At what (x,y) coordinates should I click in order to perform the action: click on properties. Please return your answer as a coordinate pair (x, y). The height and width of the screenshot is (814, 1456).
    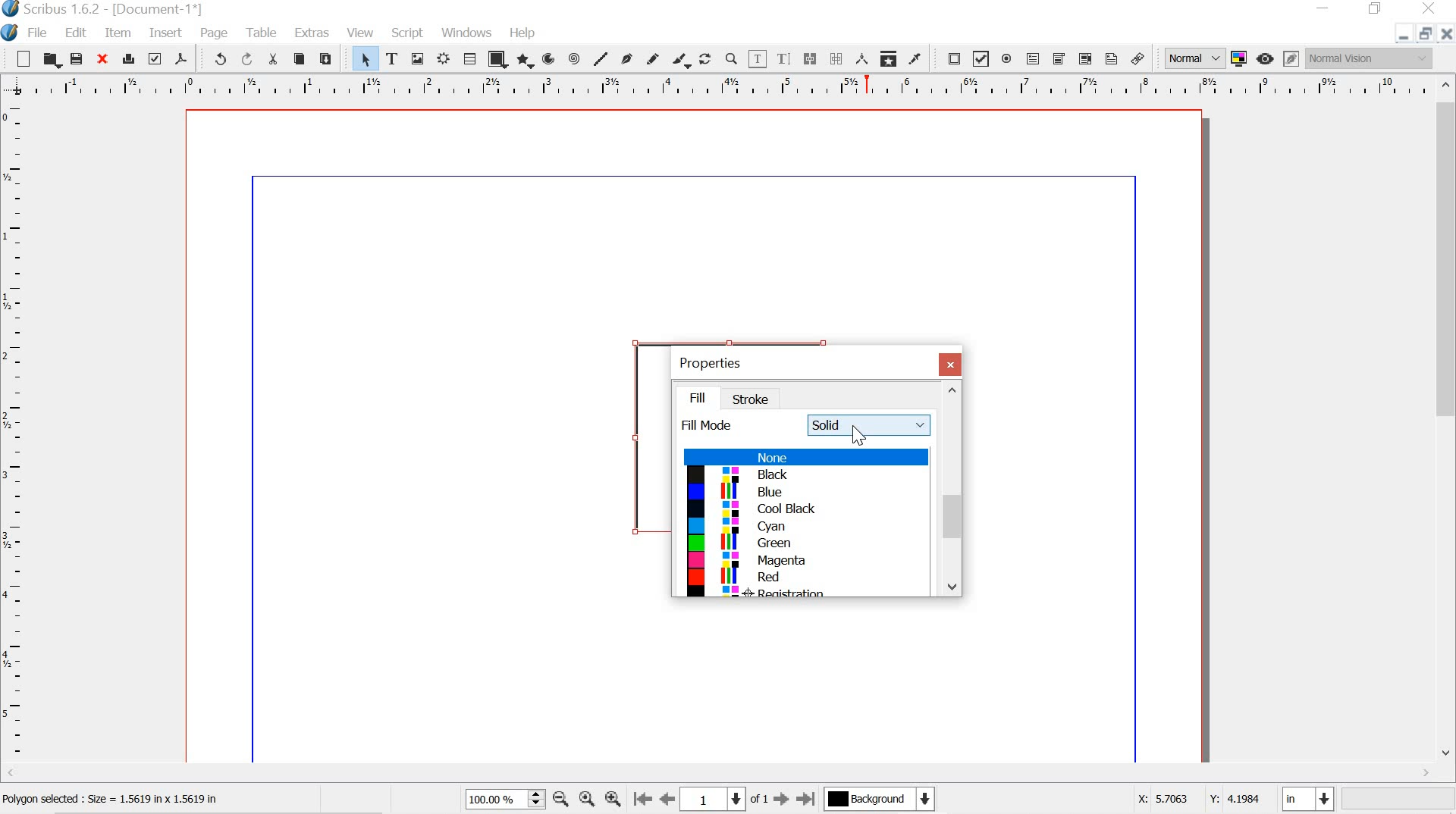
    Looking at the image, I should click on (716, 361).